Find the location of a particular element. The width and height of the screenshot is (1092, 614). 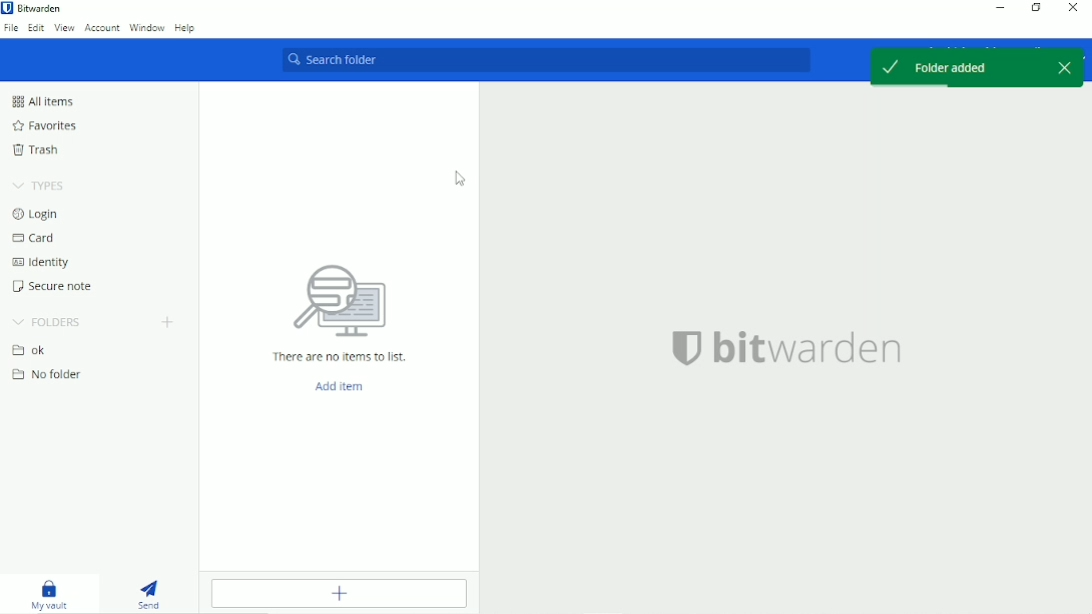

bitwarden logo is located at coordinates (679, 353).